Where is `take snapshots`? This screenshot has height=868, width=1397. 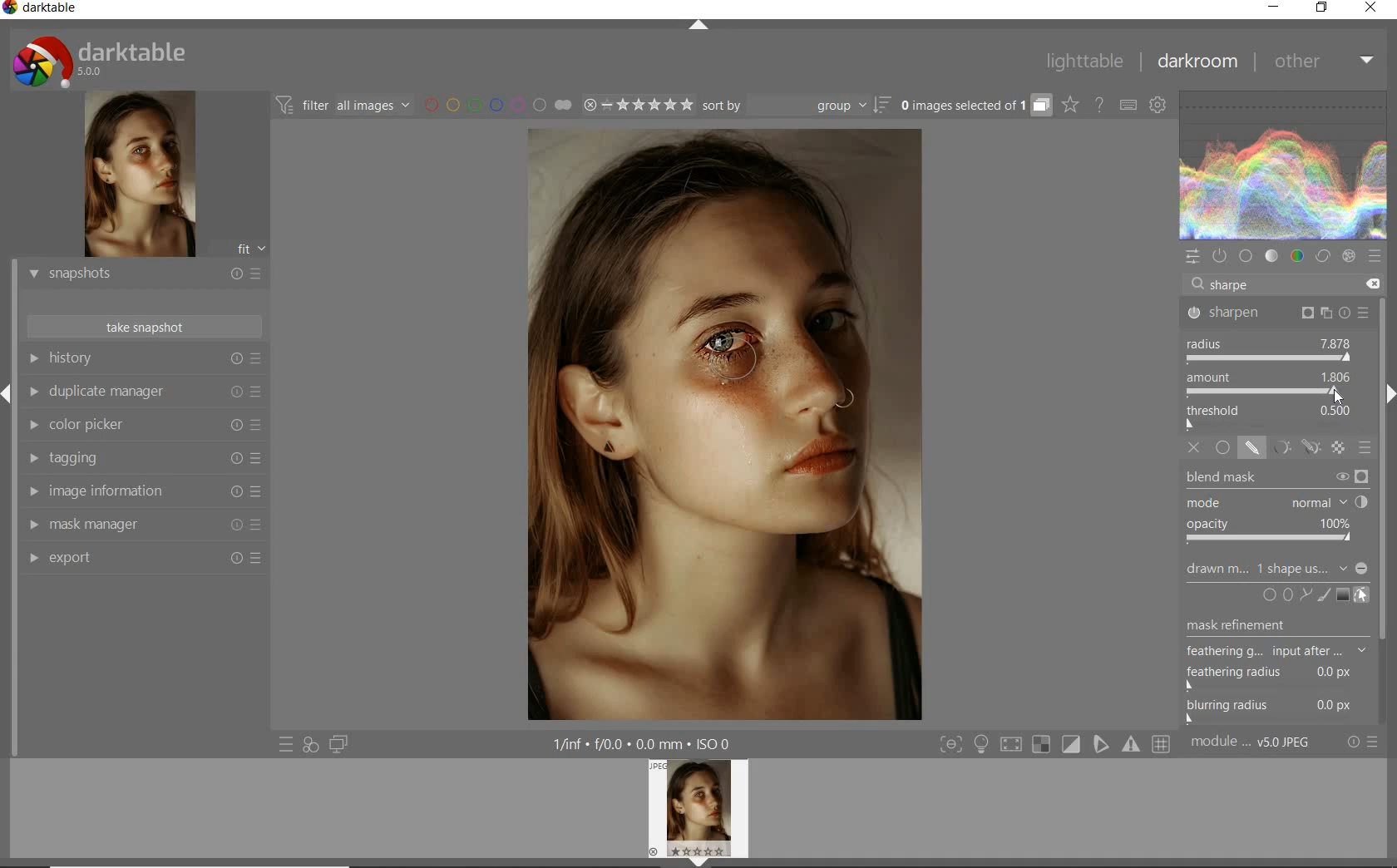 take snapshots is located at coordinates (146, 327).